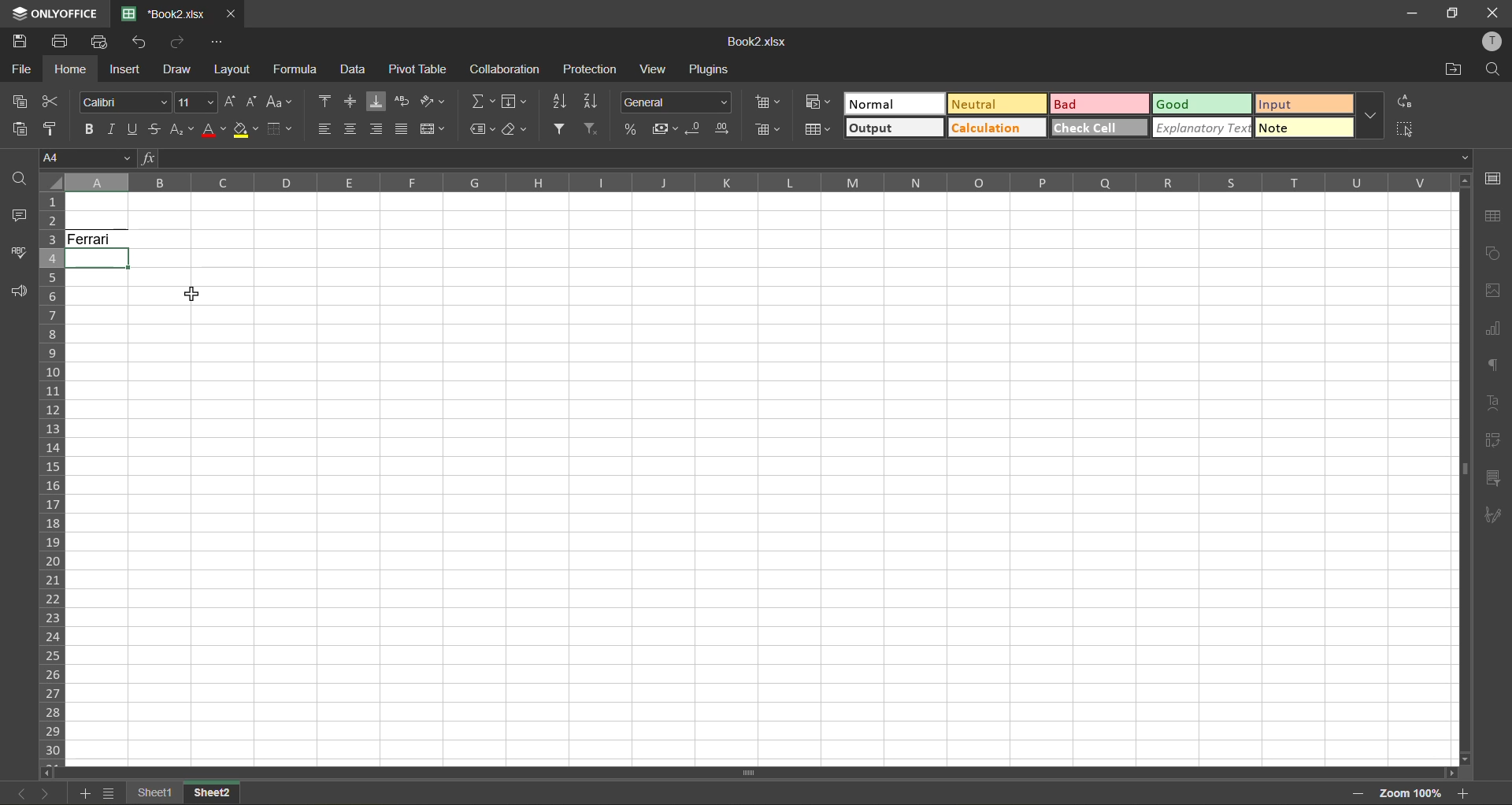  What do you see at coordinates (377, 130) in the screenshot?
I see `align right` at bounding box center [377, 130].